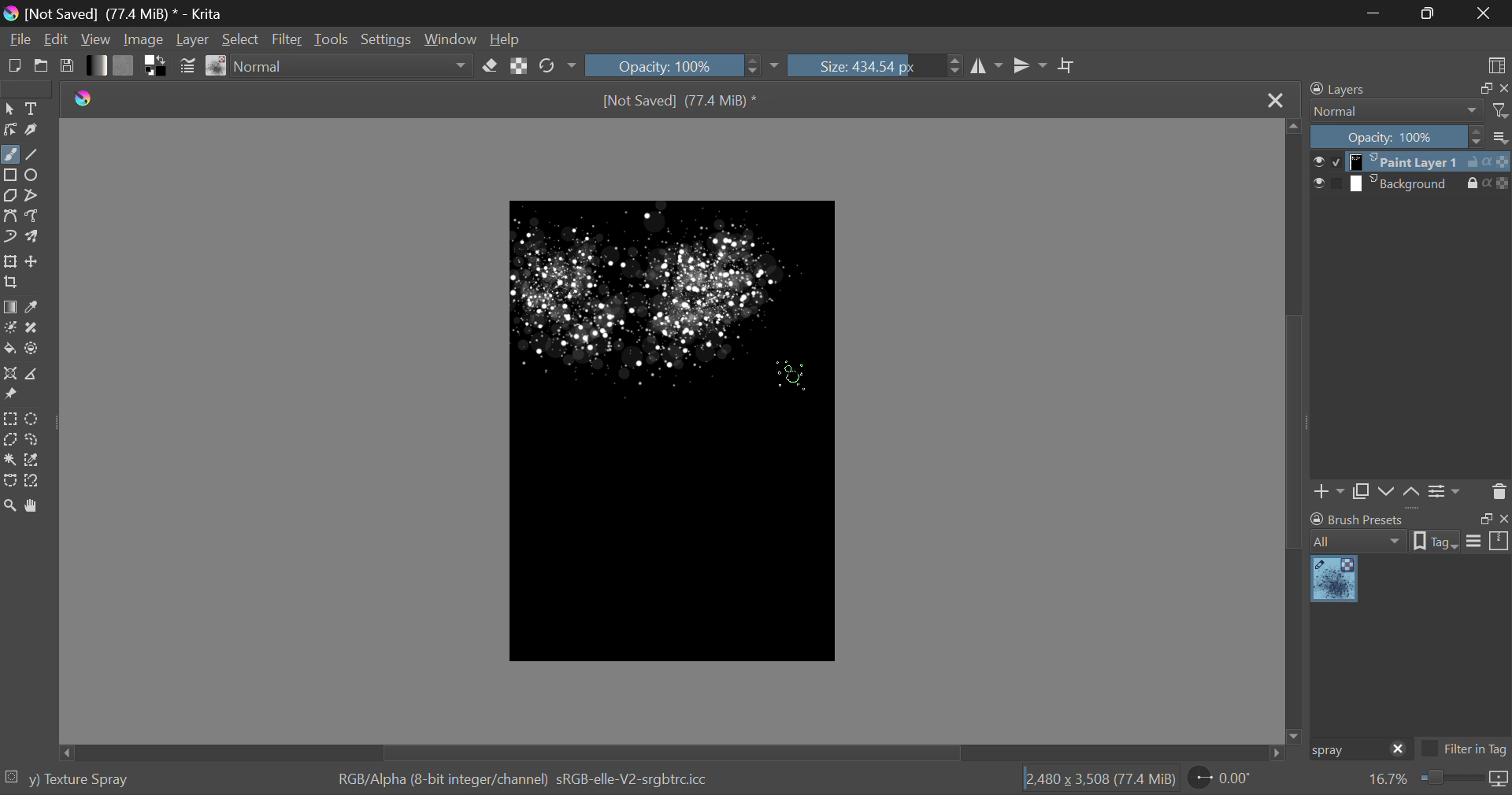 The image size is (1512, 795). What do you see at coordinates (188, 68) in the screenshot?
I see `Brush Settings` at bounding box center [188, 68].